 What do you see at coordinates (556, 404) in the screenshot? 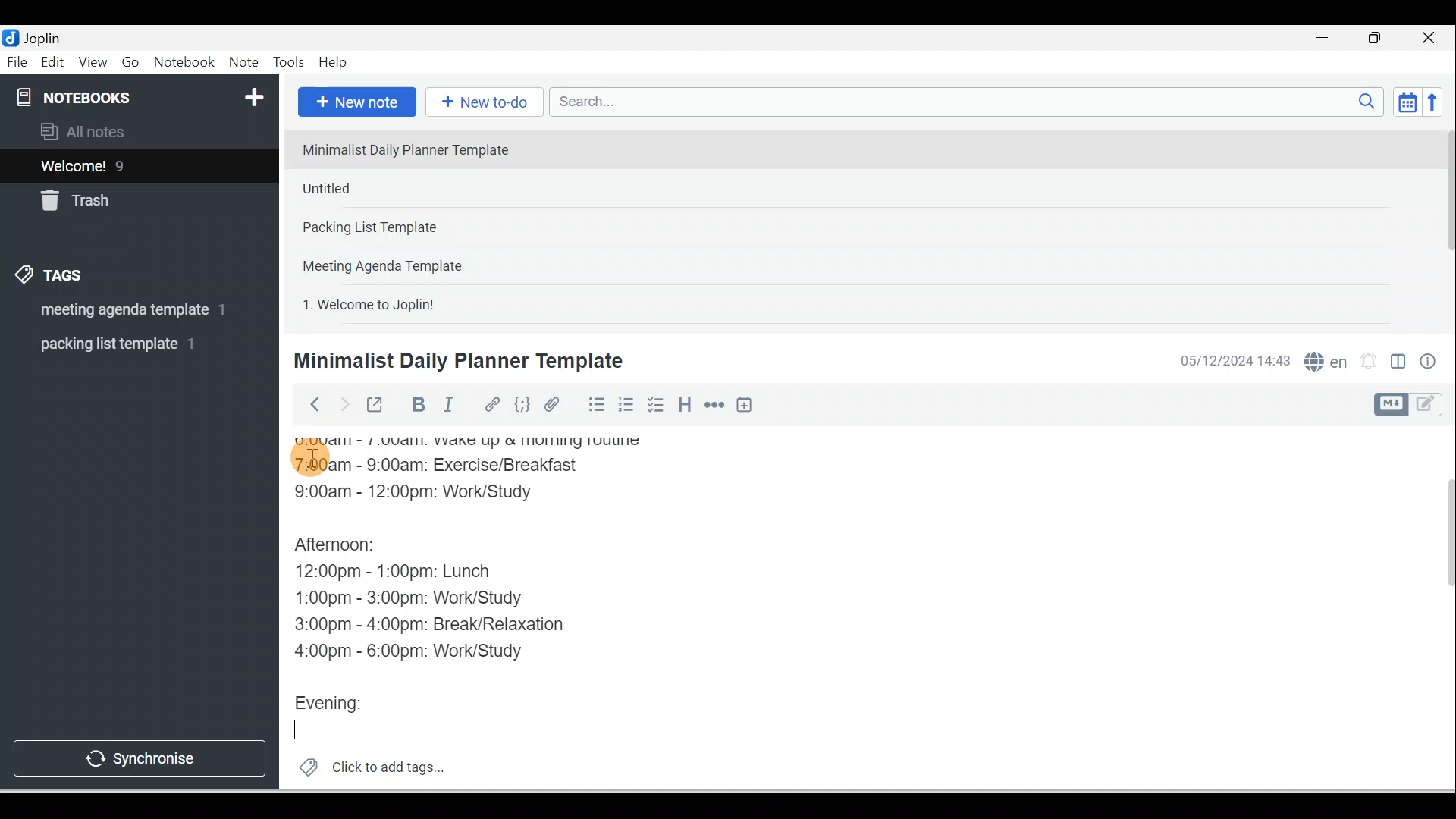
I see `Attach file` at bounding box center [556, 404].